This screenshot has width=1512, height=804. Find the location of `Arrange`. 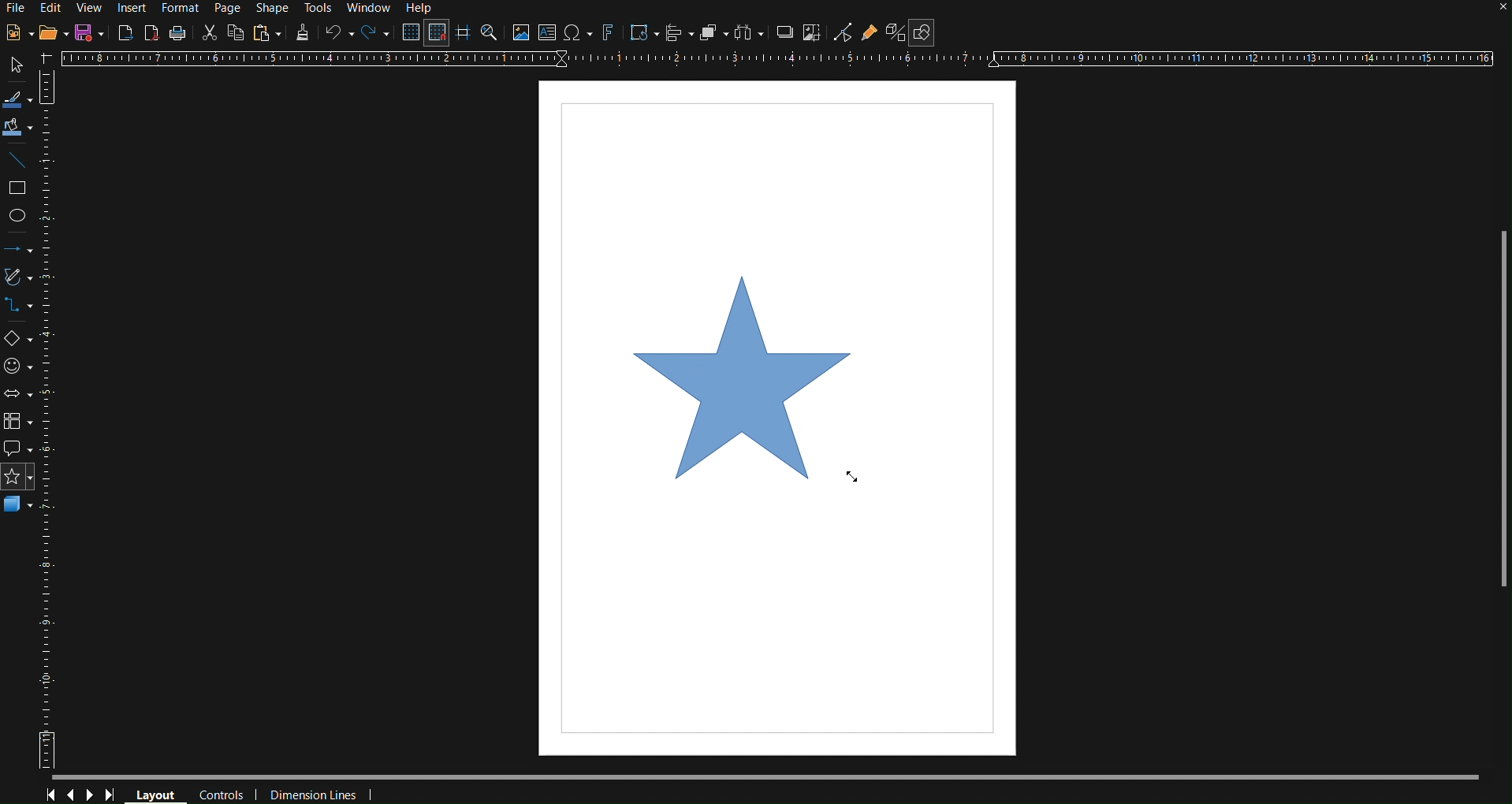

Arrange is located at coordinates (712, 35).